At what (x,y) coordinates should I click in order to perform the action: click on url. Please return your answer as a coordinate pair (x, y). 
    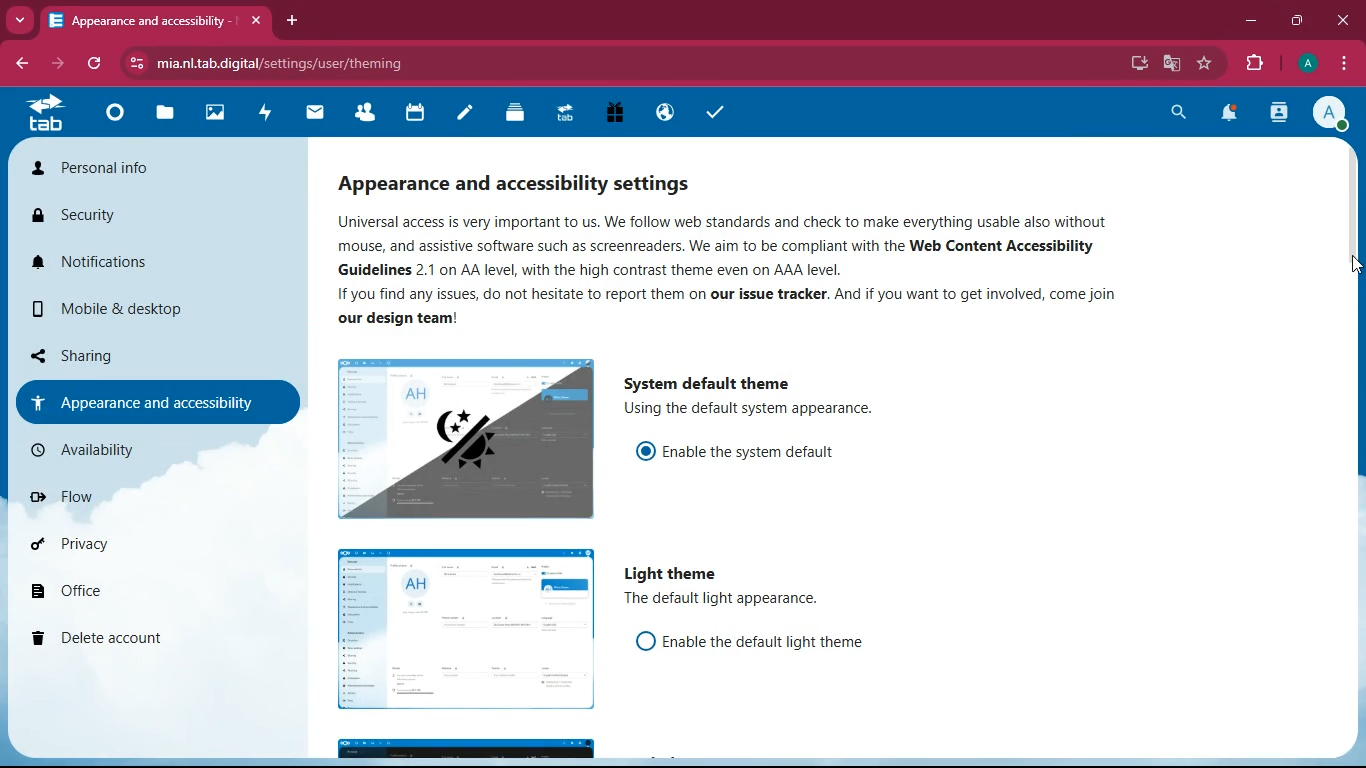
    Looking at the image, I should click on (291, 64).